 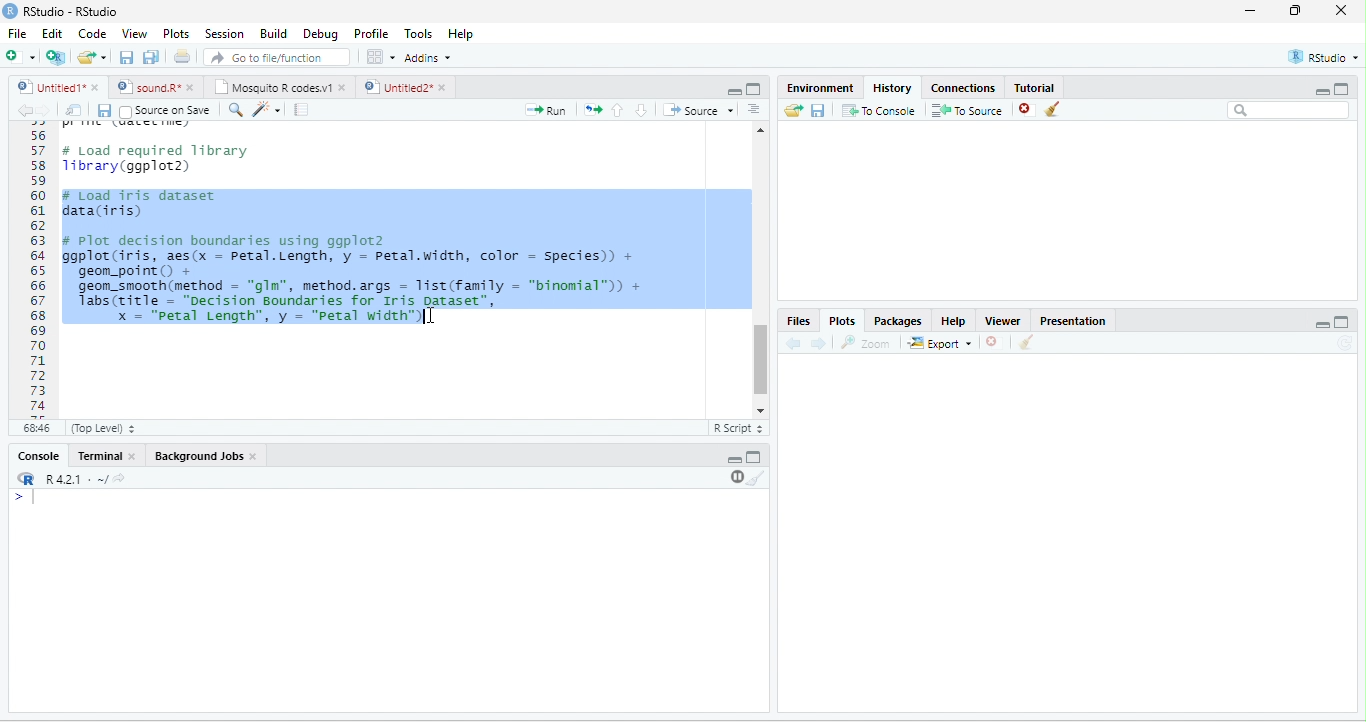 What do you see at coordinates (797, 322) in the screenshot?
I see `Files` at bounding box center [797, 322].